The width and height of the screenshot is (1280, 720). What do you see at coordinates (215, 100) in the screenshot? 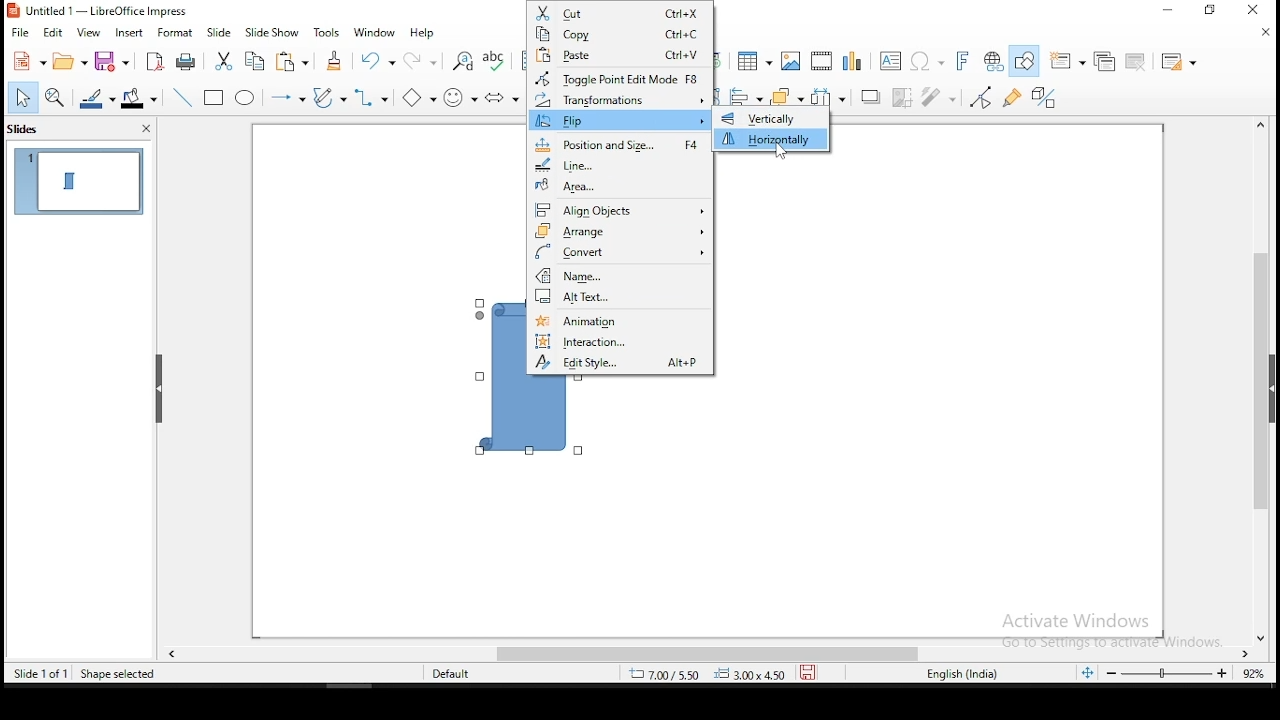
I see `rectangle` at bounding box center [215, 100].